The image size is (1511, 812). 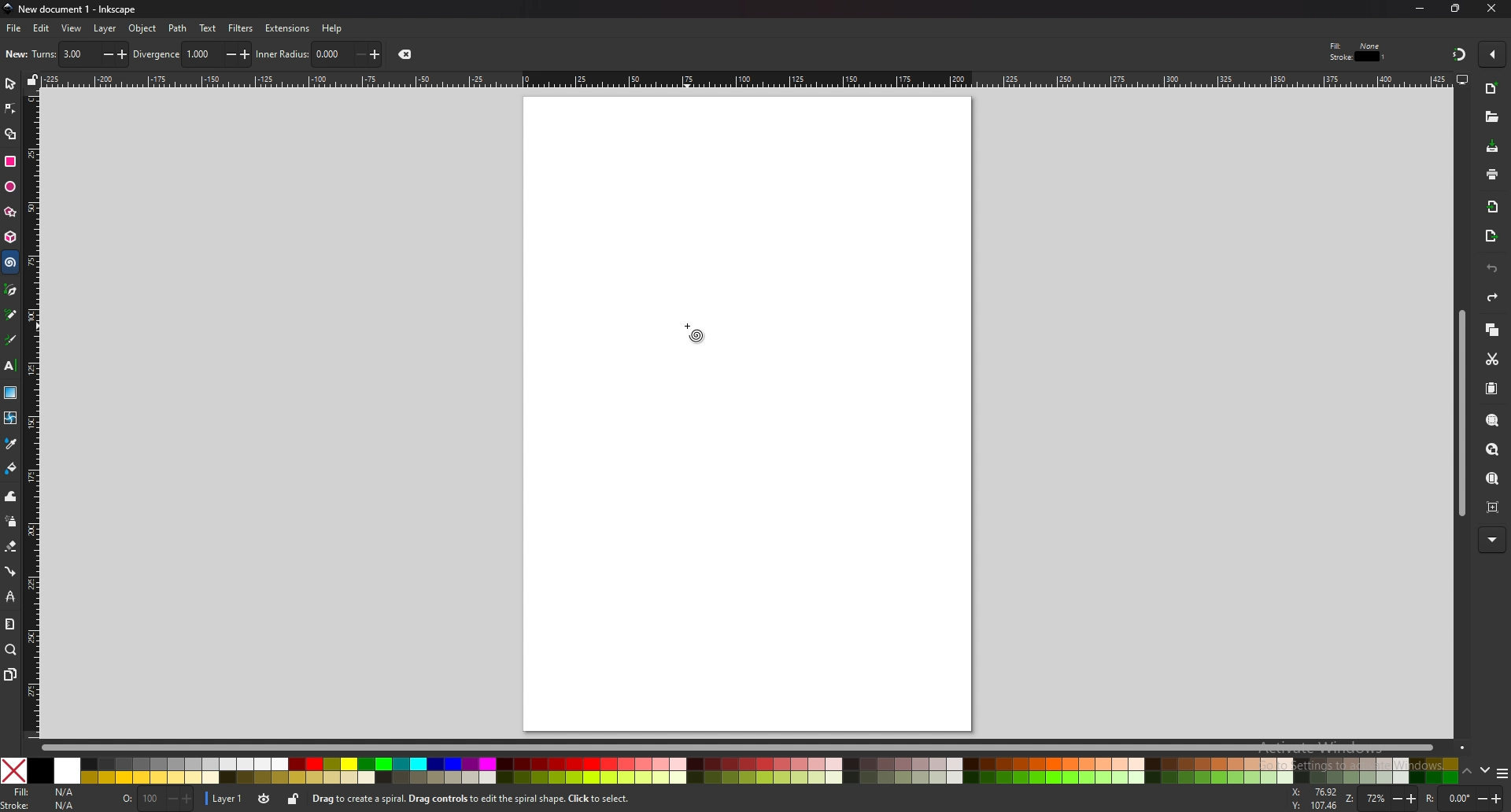 I want to click on selector, so click(x=10, y=84).